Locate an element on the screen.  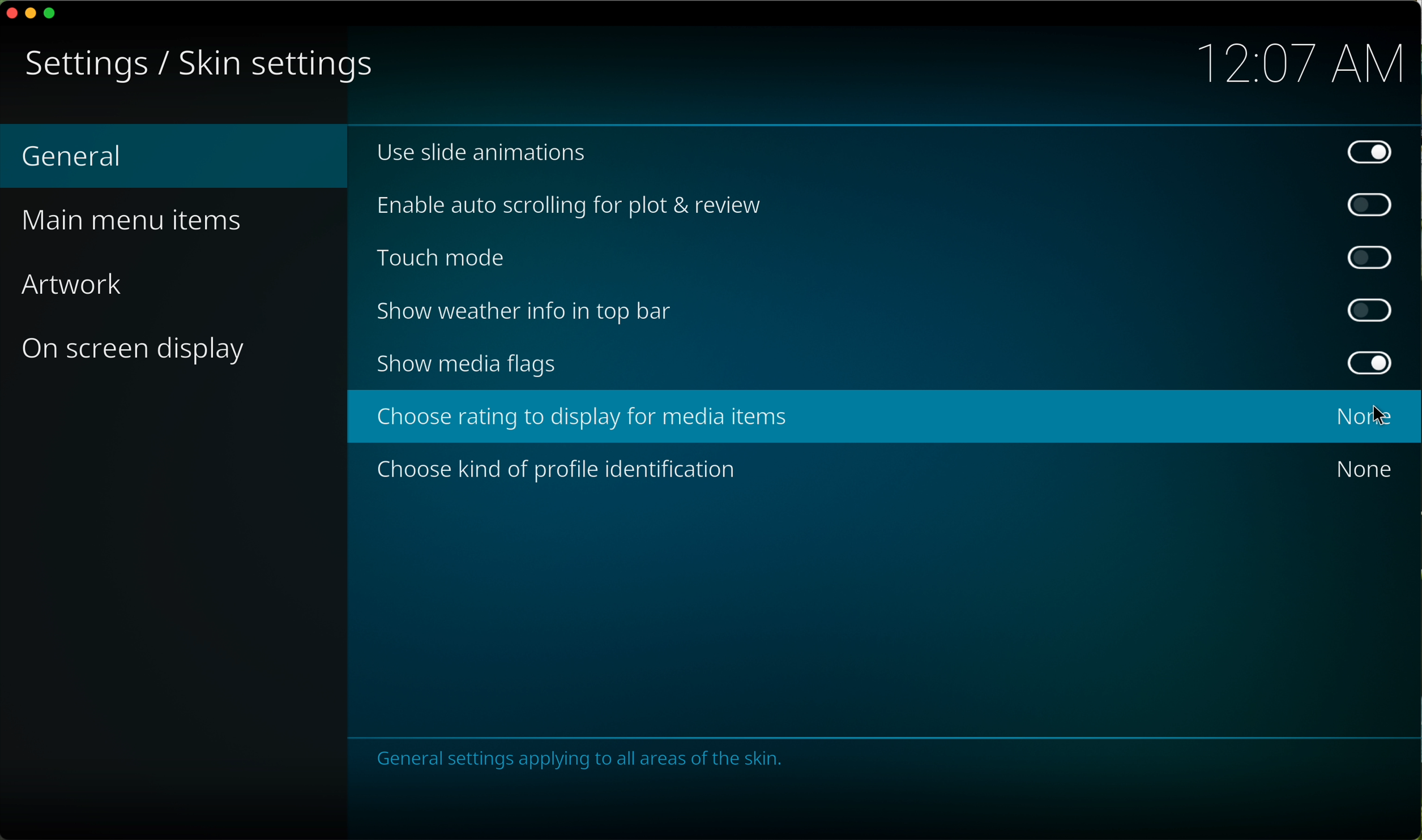
choose kind of people identification is located at coordinates (885, 472).